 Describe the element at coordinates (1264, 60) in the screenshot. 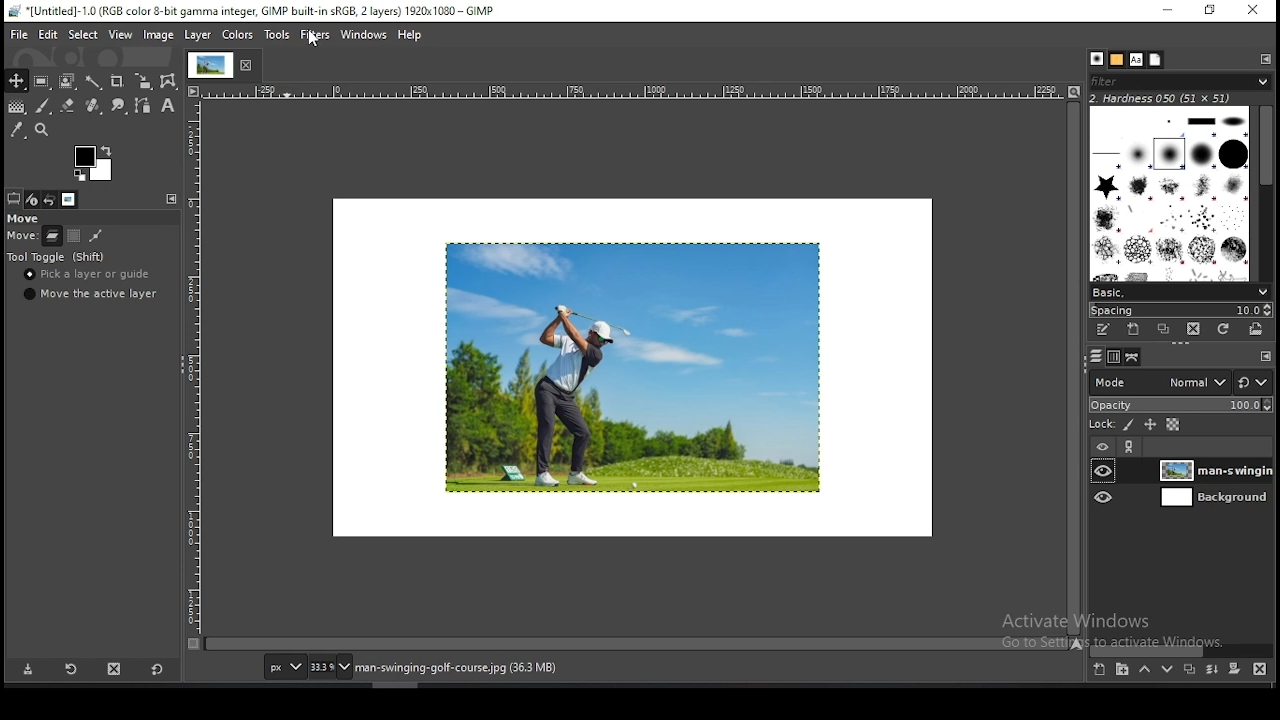

I see `configure this tab` at that location.